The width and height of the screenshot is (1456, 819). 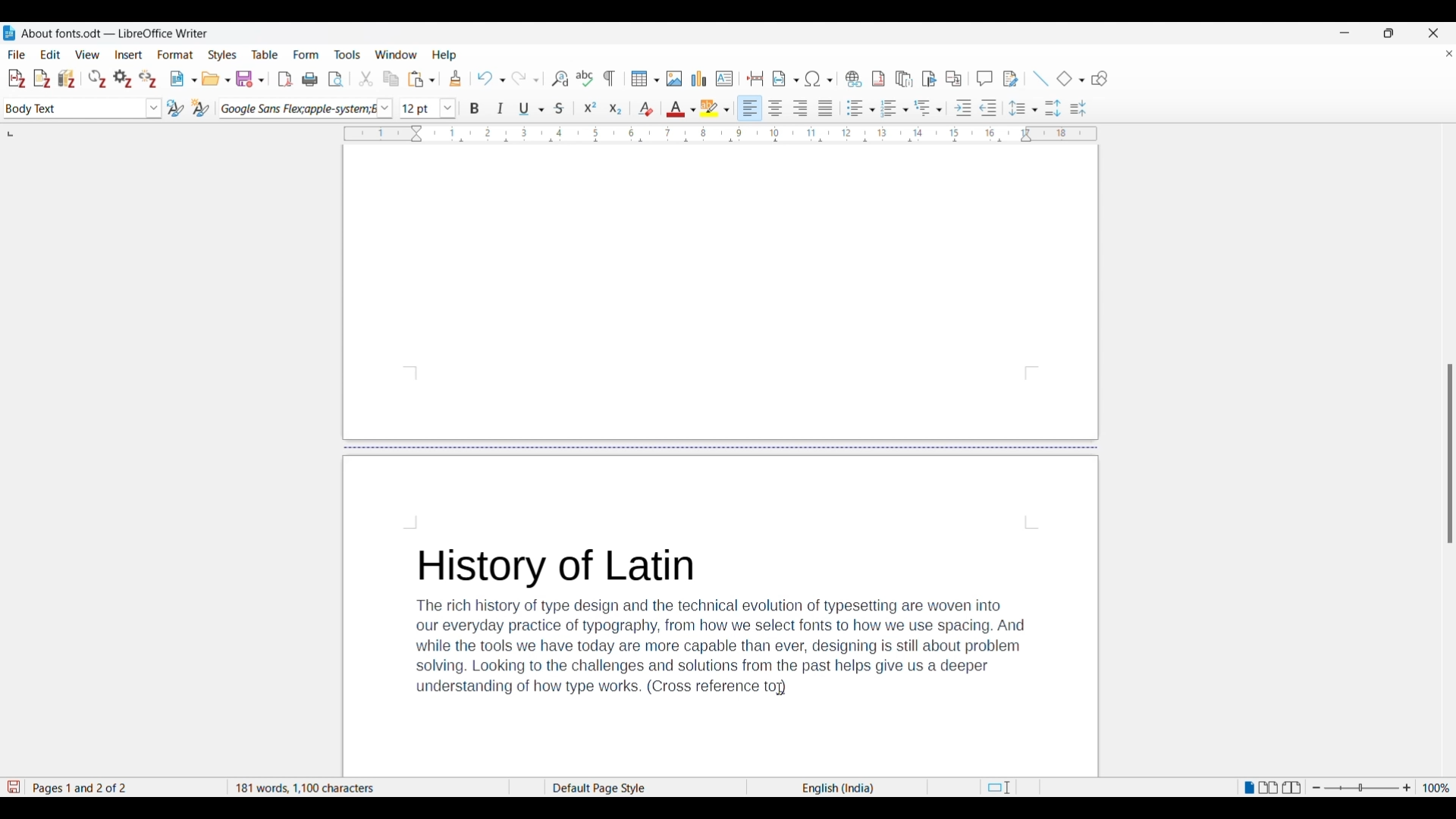 What do you see at coordinates (525, 79) in the screenshot?
I see `Redo options` at bounding box center [525, 79].